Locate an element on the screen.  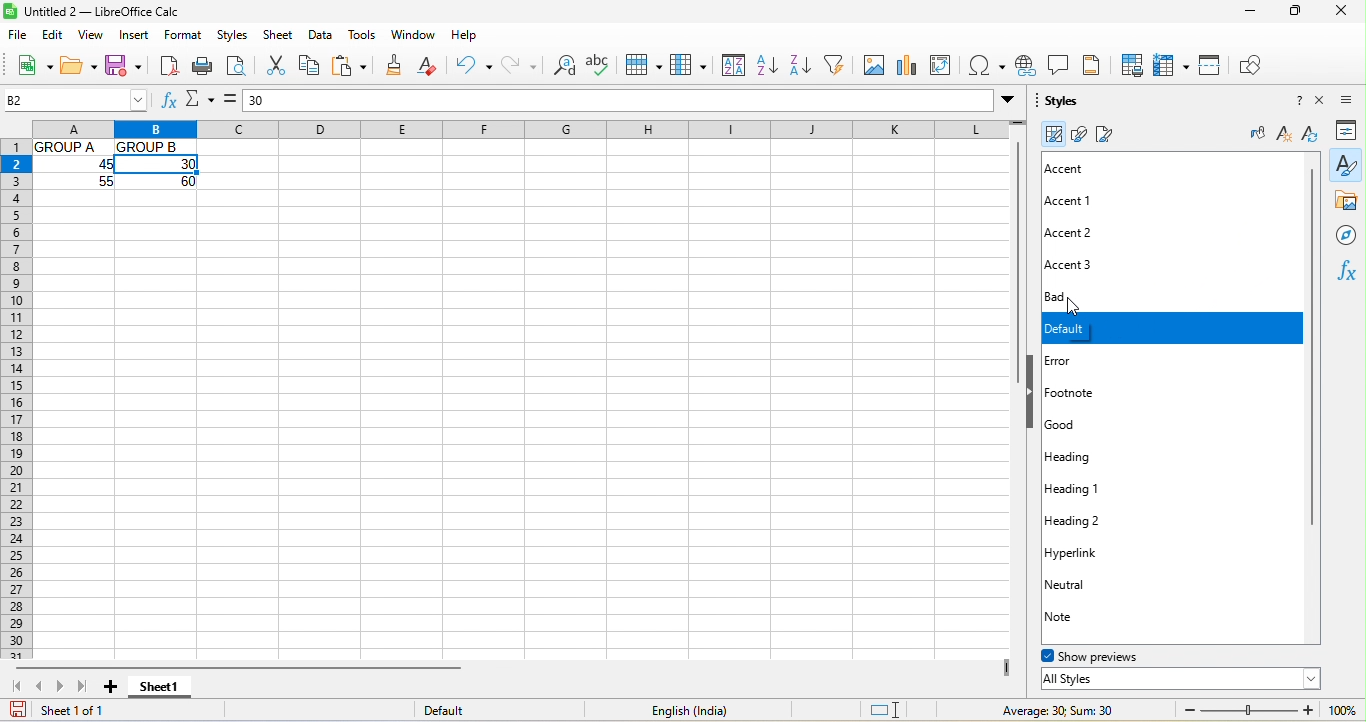
new is located at coordinates (28, 64).